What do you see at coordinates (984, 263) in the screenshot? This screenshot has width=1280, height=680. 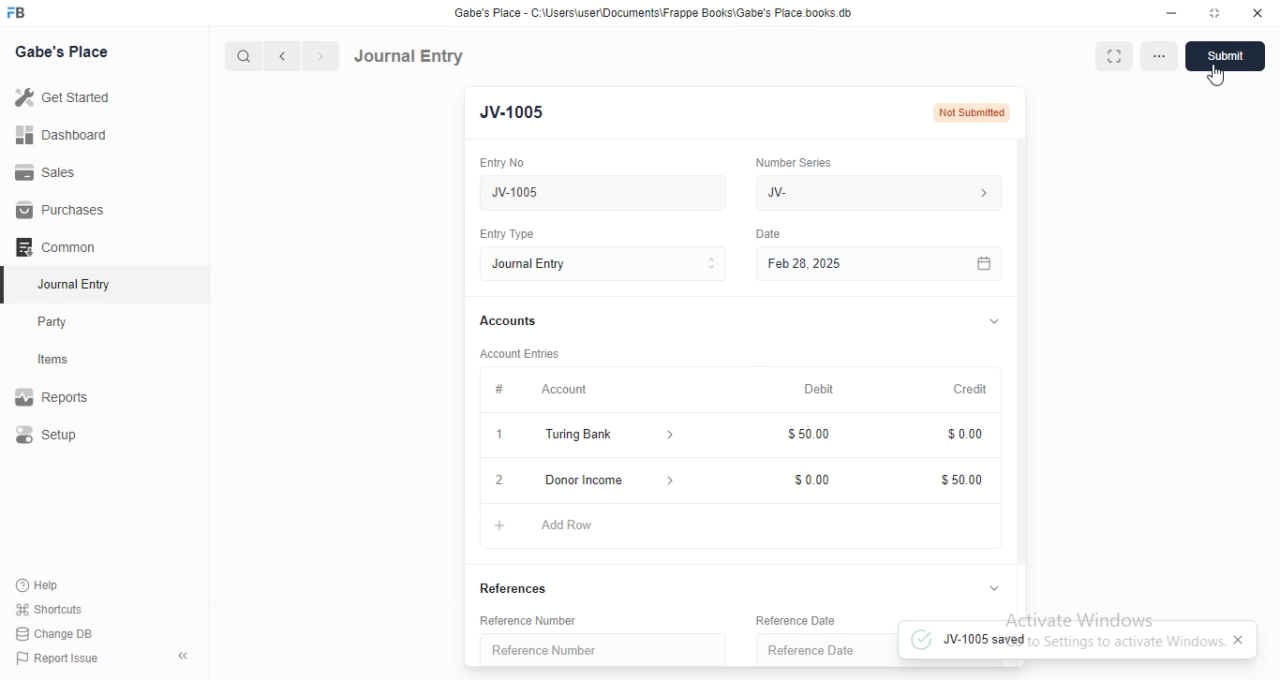 I see `calender` at bounding box center [984, 263].